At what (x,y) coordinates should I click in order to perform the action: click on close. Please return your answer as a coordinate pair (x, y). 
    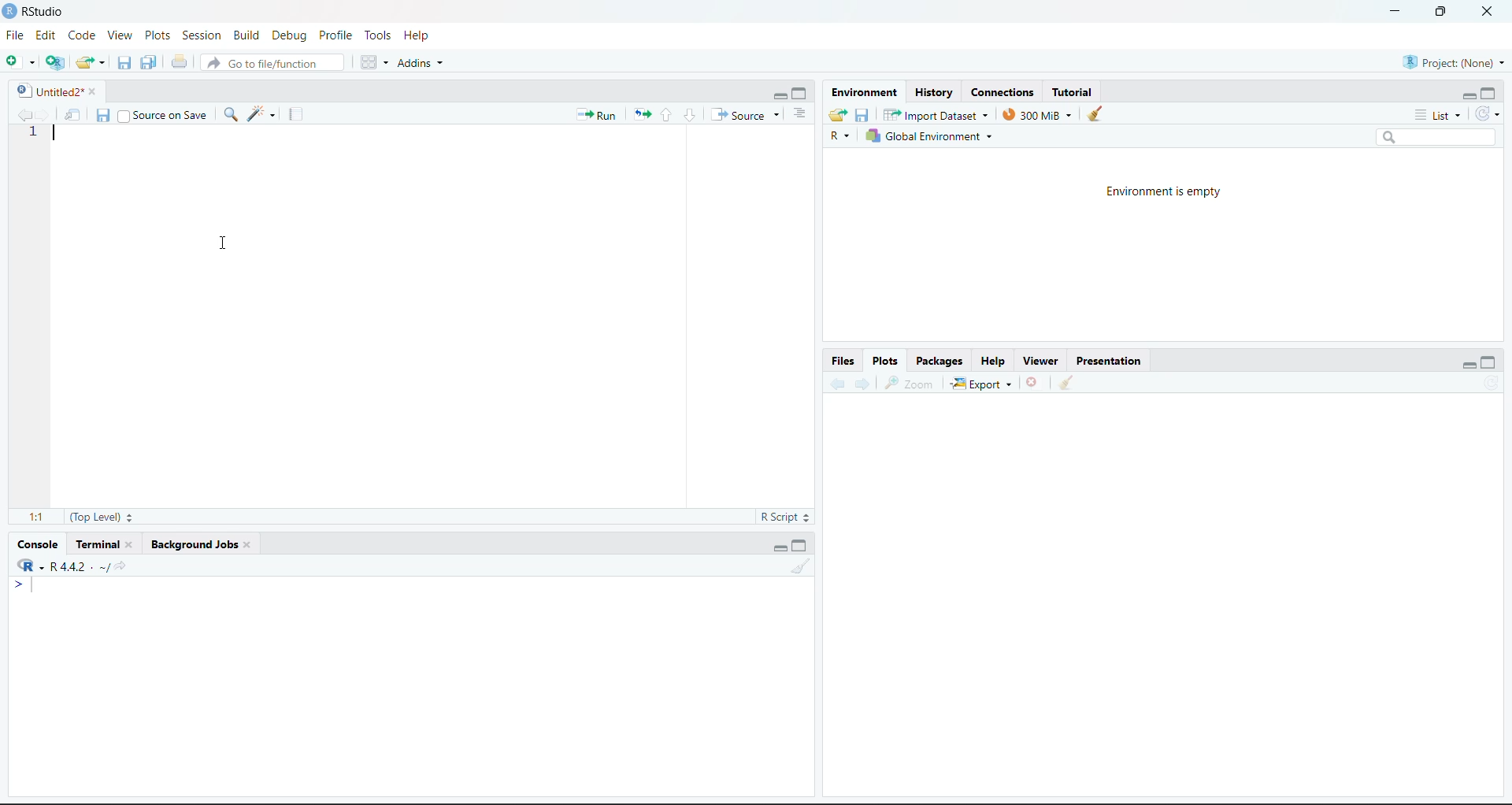
    Looking at the image, I should click on (1487, 13).